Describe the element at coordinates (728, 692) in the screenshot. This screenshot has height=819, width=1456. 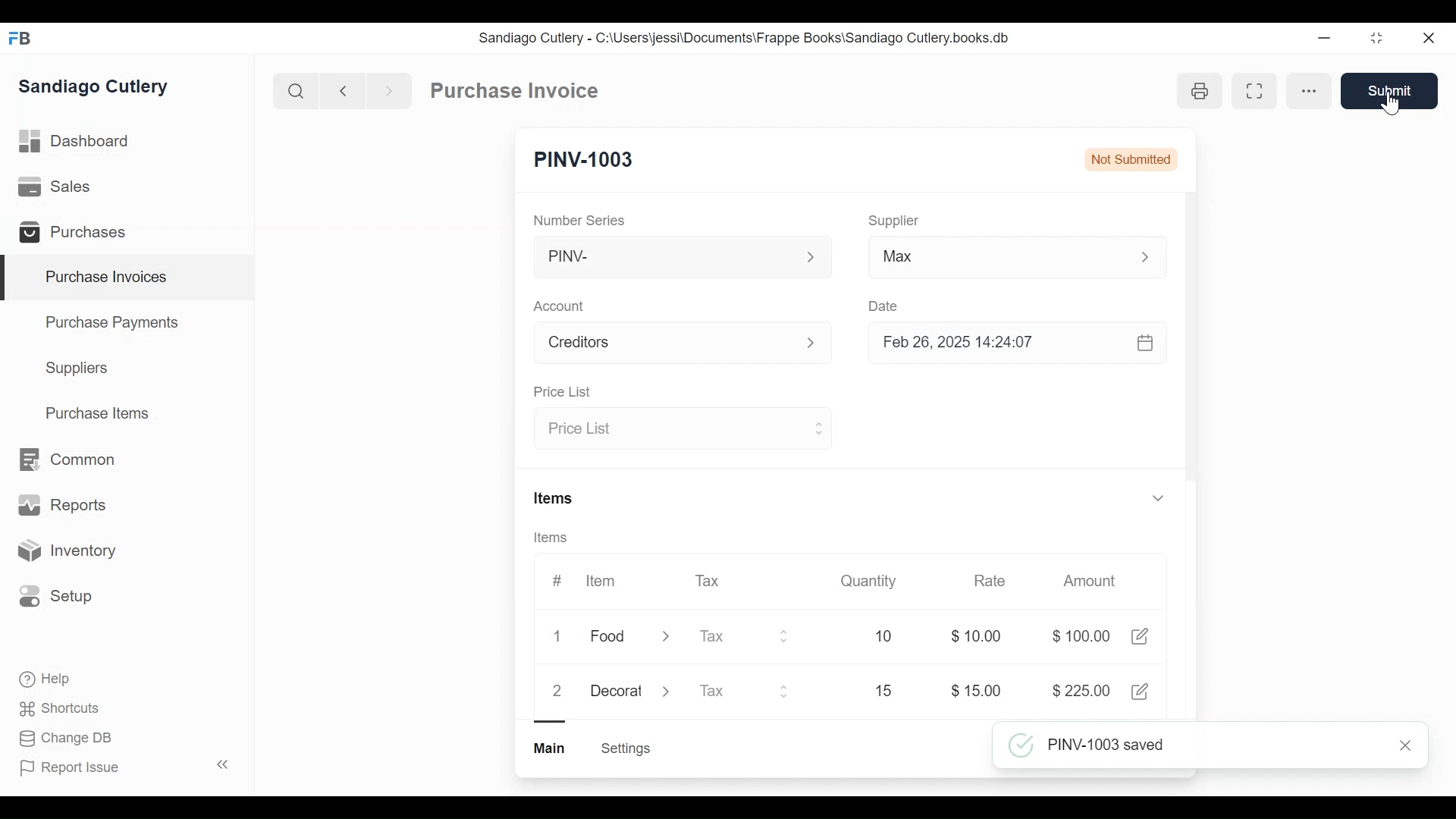
I see `Tax` at that location.